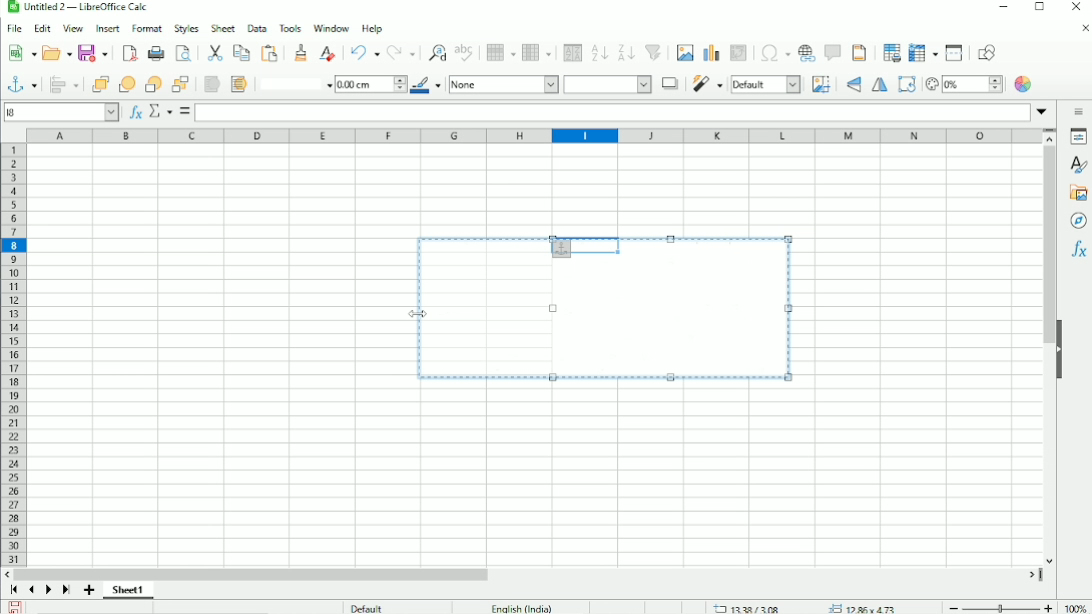 The height and width of the screenshot is (614, 1092). What do you see at coordinates (22, 53) in the screenshot?
I see `New` at bounding box center [22, 53].